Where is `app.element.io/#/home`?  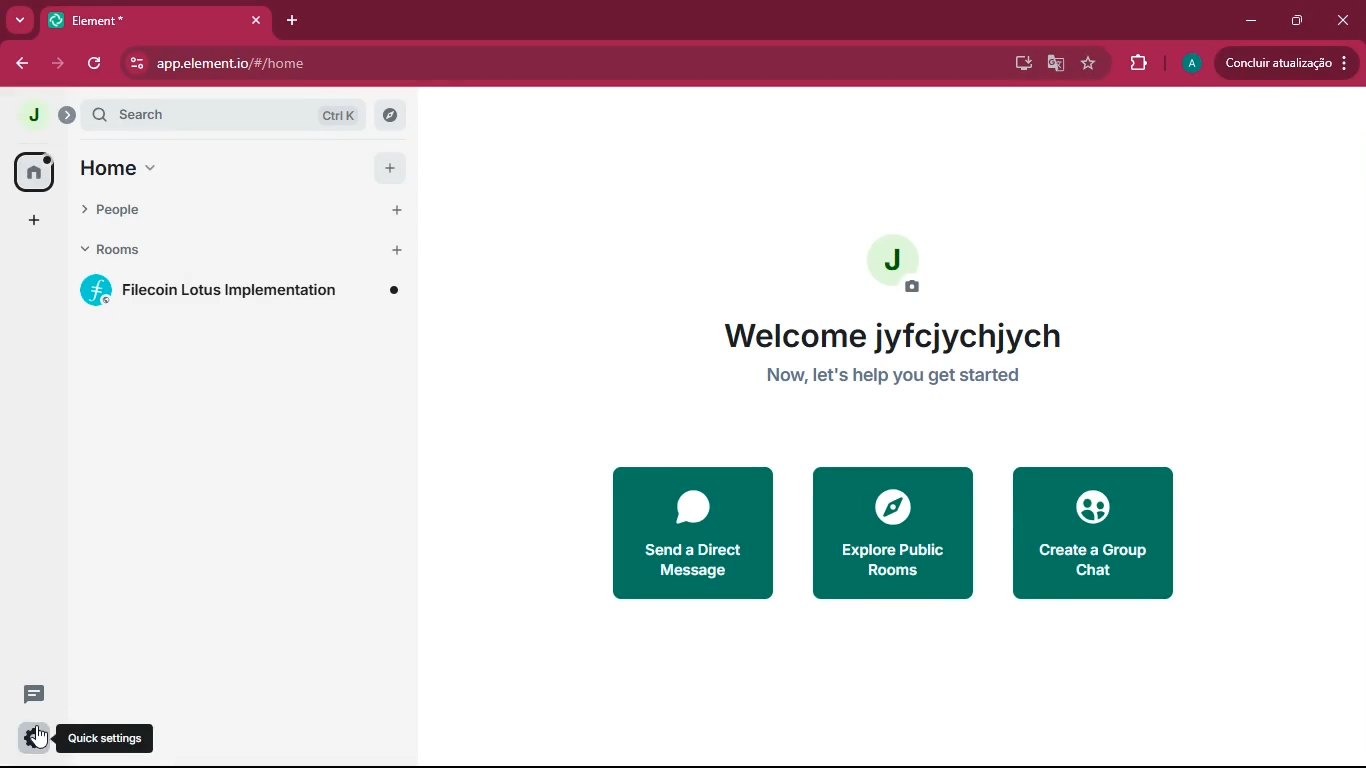 app.element.io/#/home is located at coordinates (218, 63).